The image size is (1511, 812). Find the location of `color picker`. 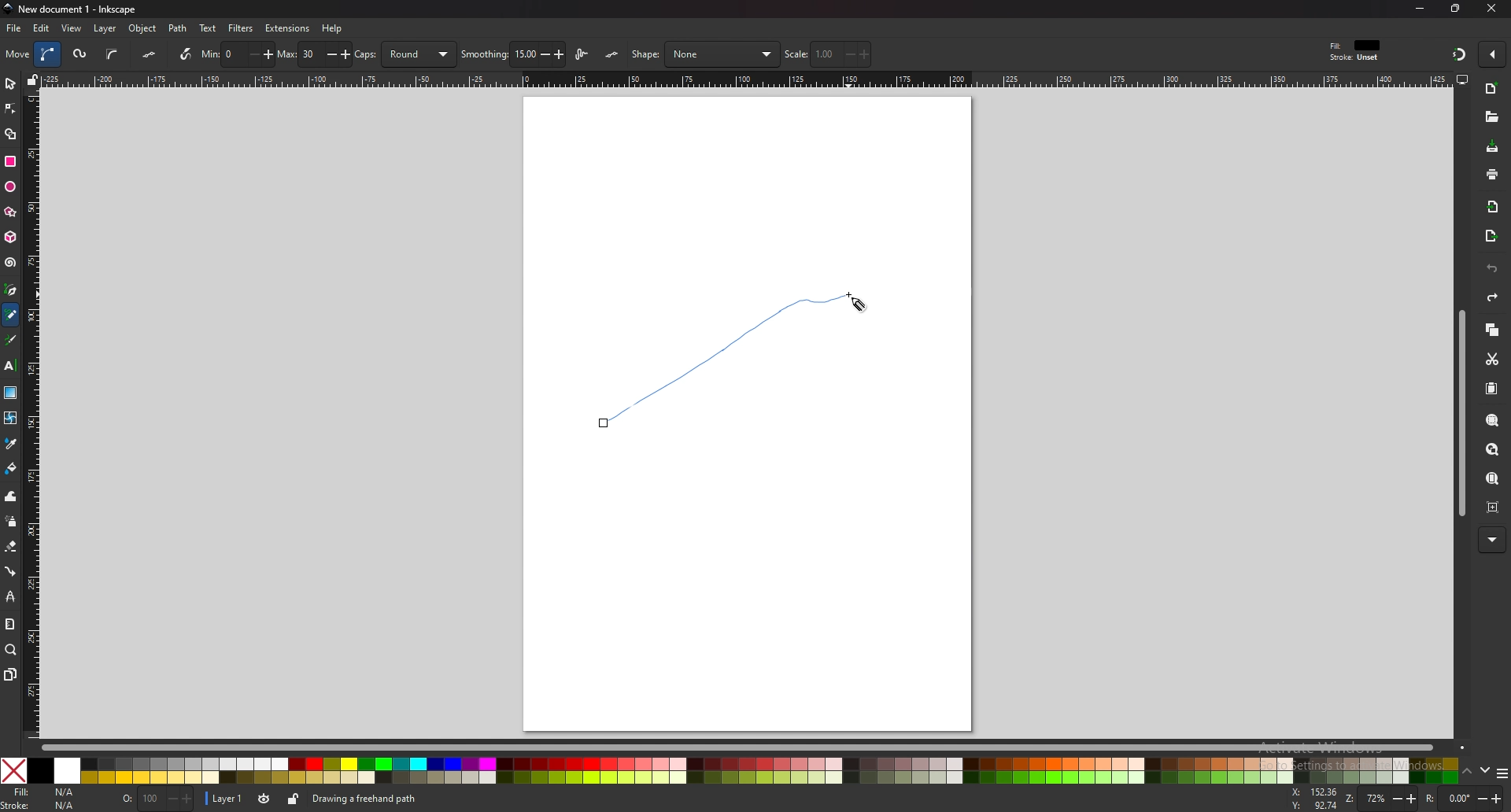

color picker is located at coordinates (11, 443).